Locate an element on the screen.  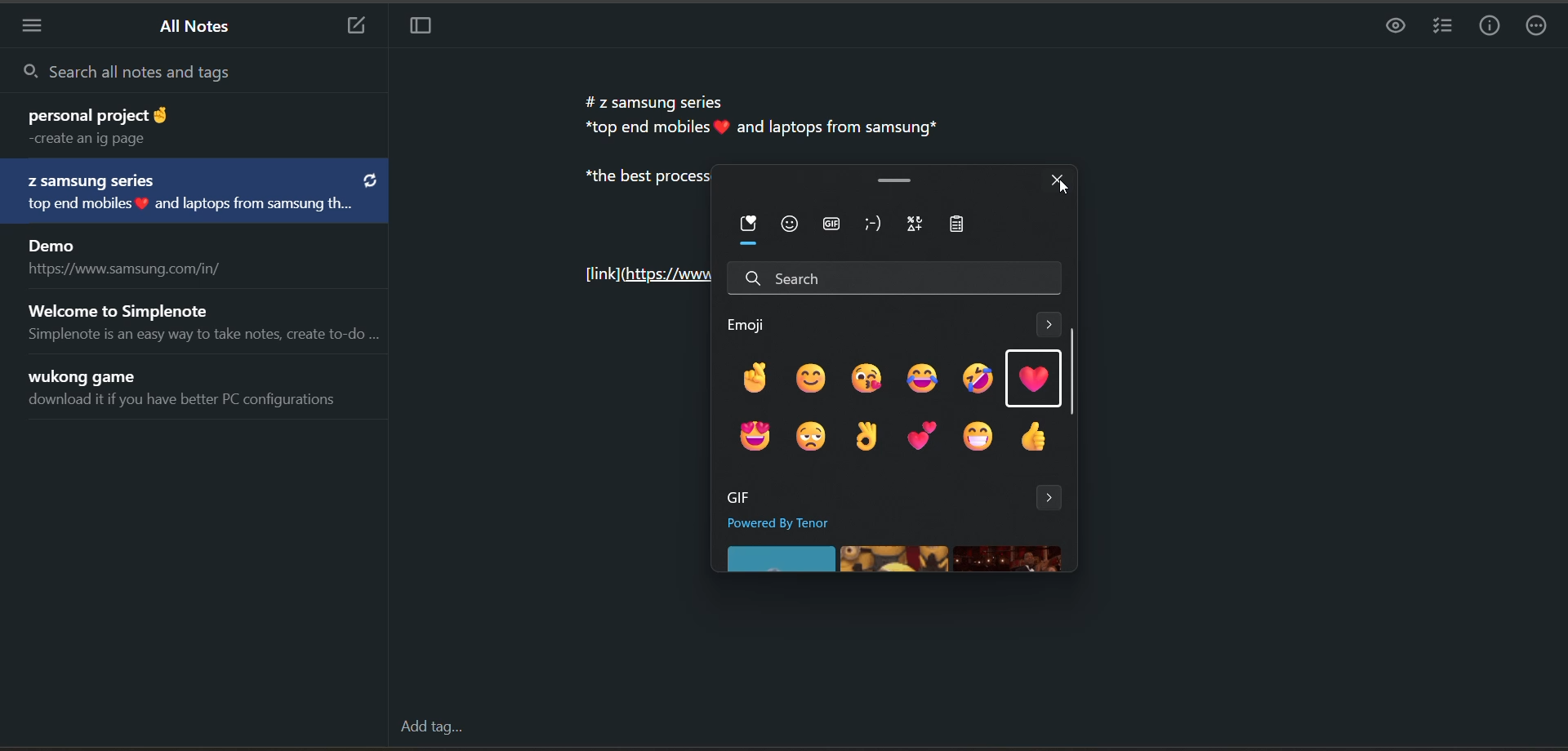
emoji 2 is located at coordinates (812, 377).